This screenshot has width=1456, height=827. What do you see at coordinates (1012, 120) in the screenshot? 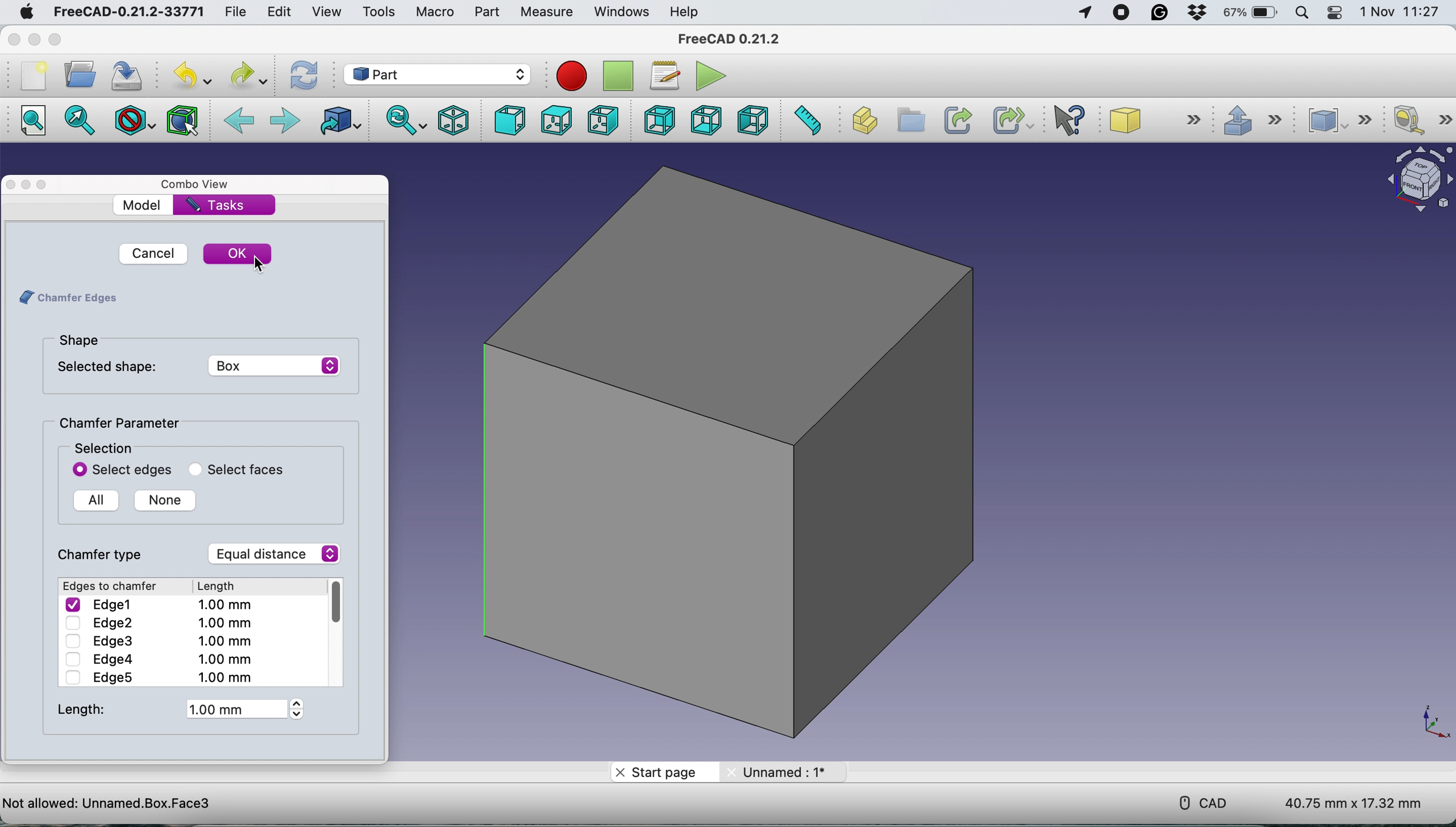
I see `make sub link` at bounding box center [1012, 120].